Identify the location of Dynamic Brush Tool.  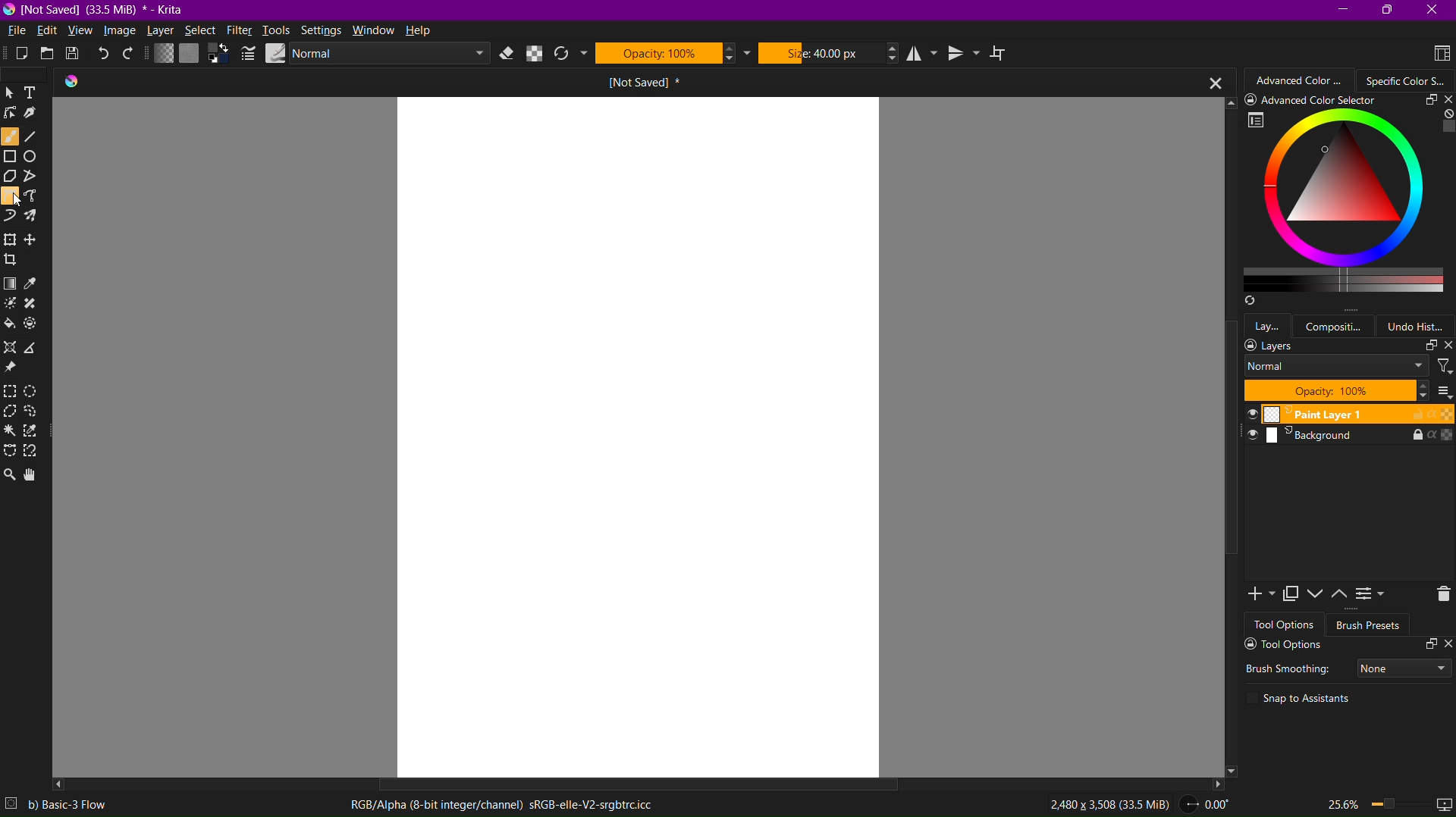
(11, 217).